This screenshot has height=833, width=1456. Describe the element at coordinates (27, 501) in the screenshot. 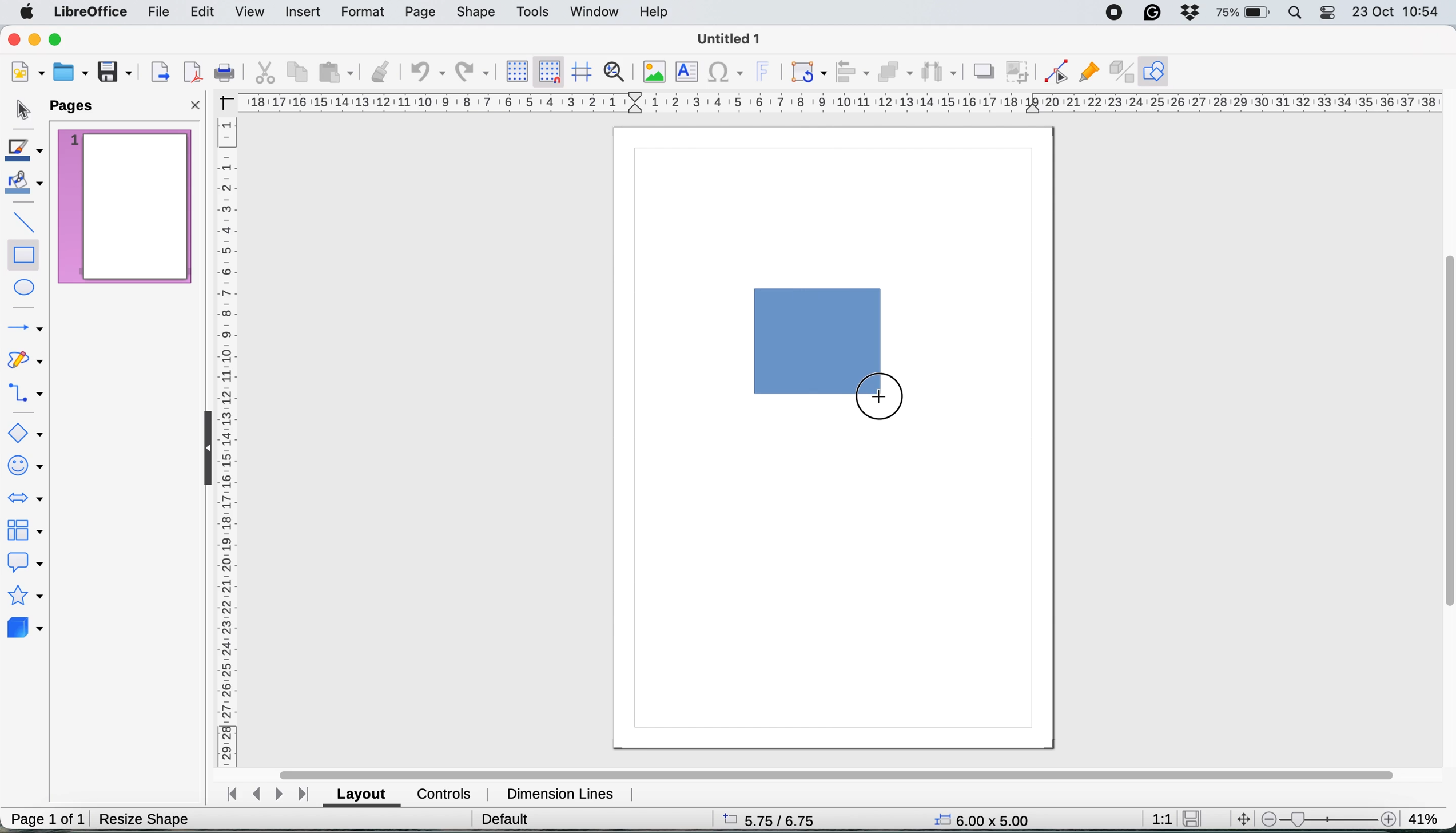

I see `block arrows` at that location.